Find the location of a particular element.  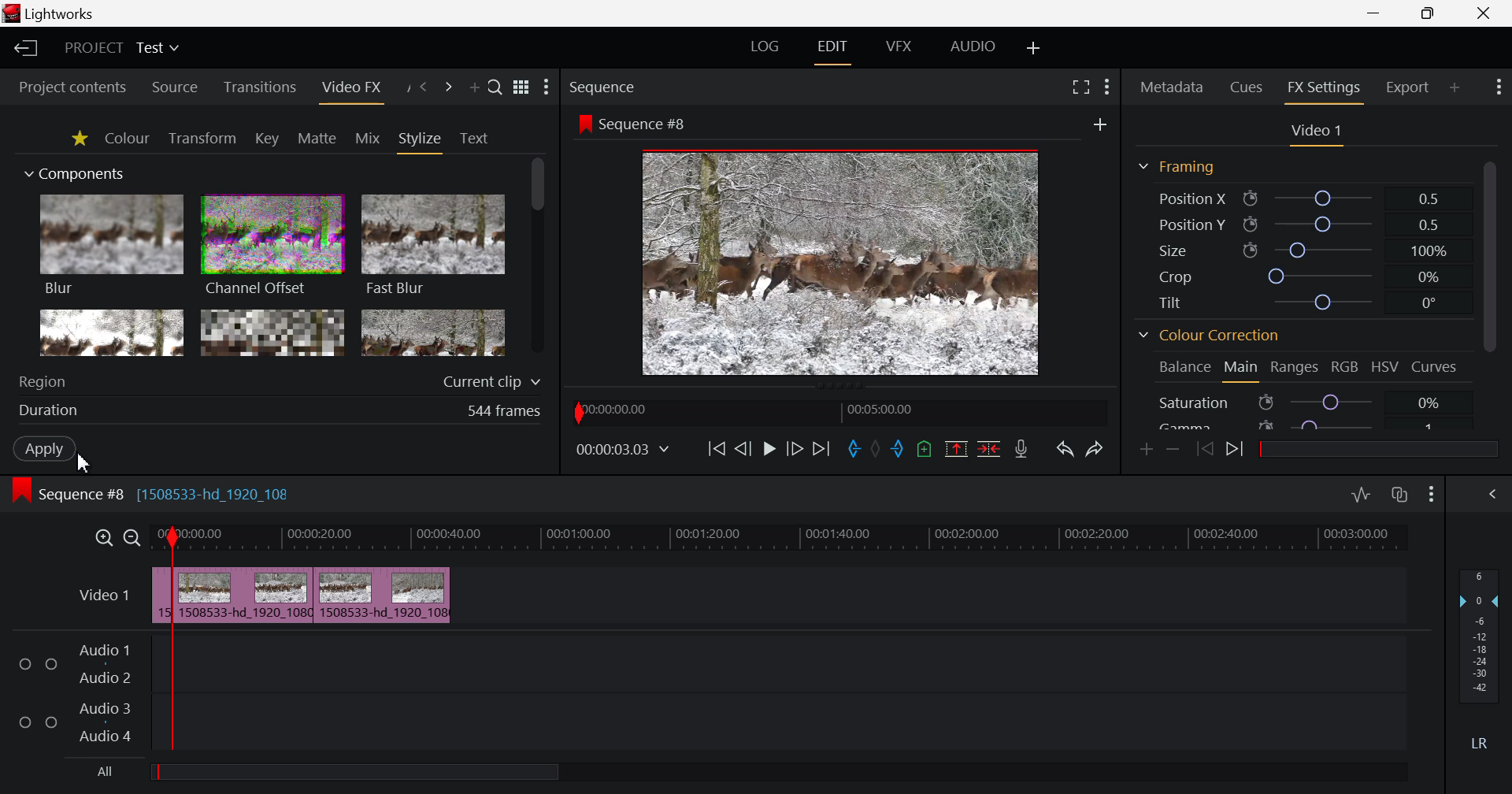

Cursor on Stop Preview is located at coordinates (769, 451).